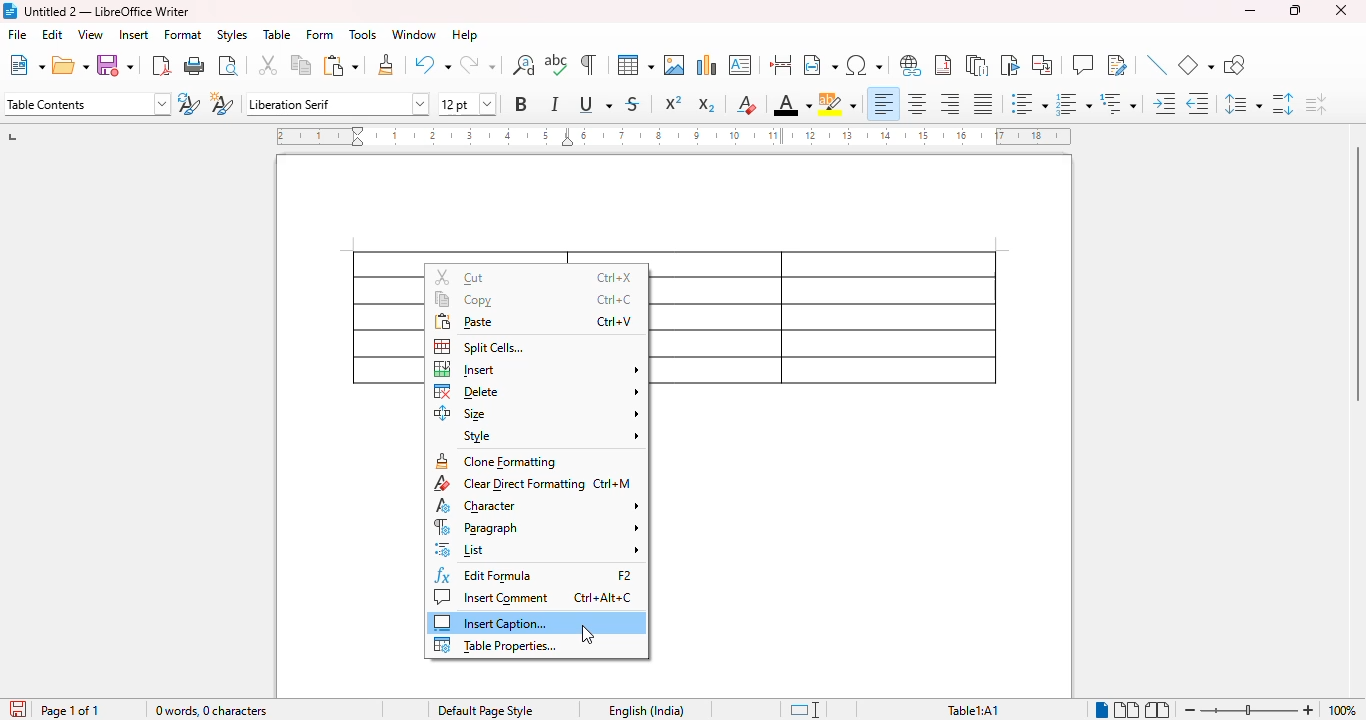 This screenshot has width=1366, height=720. What do you see at coordinates (674, 102) in the screenshot?
I see `superscript` at bounding box center [674, 102].